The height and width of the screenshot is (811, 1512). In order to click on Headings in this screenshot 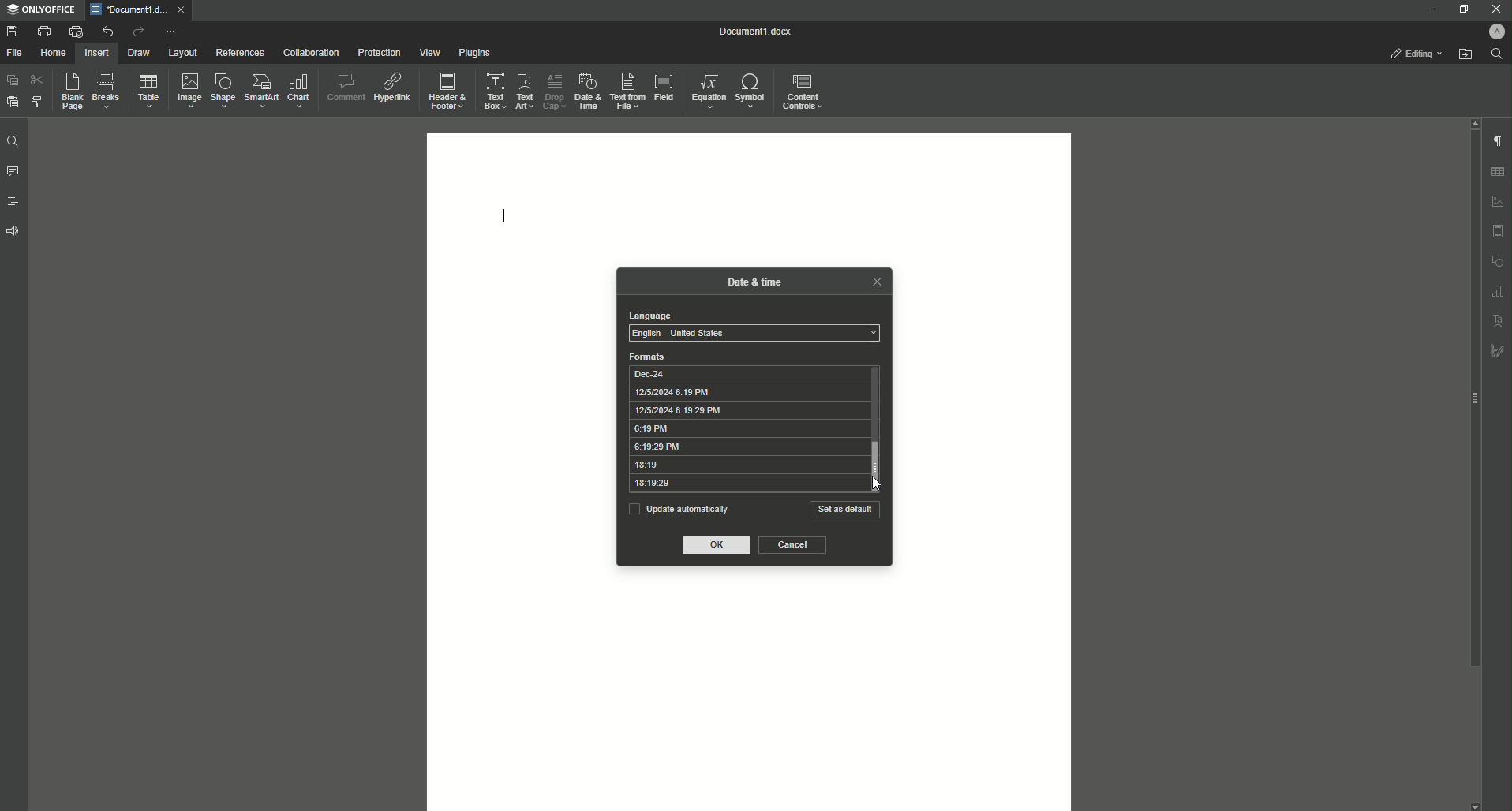, I will do `click(12, 200)`.